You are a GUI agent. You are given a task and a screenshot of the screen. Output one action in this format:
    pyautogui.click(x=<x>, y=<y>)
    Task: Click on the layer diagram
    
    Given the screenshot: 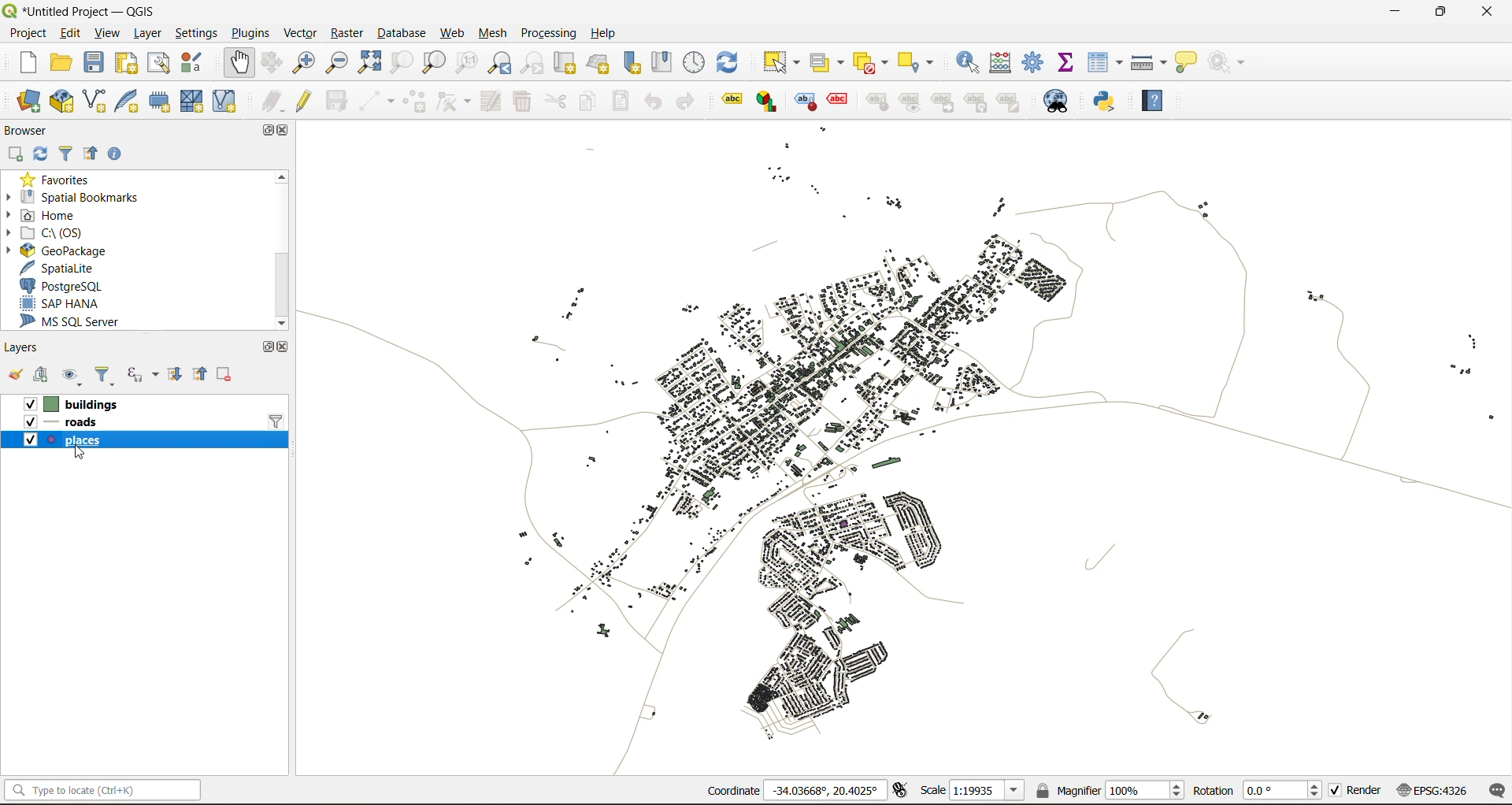 What is the action you would take?
    pyautogui.click(x=765, y=102)
    